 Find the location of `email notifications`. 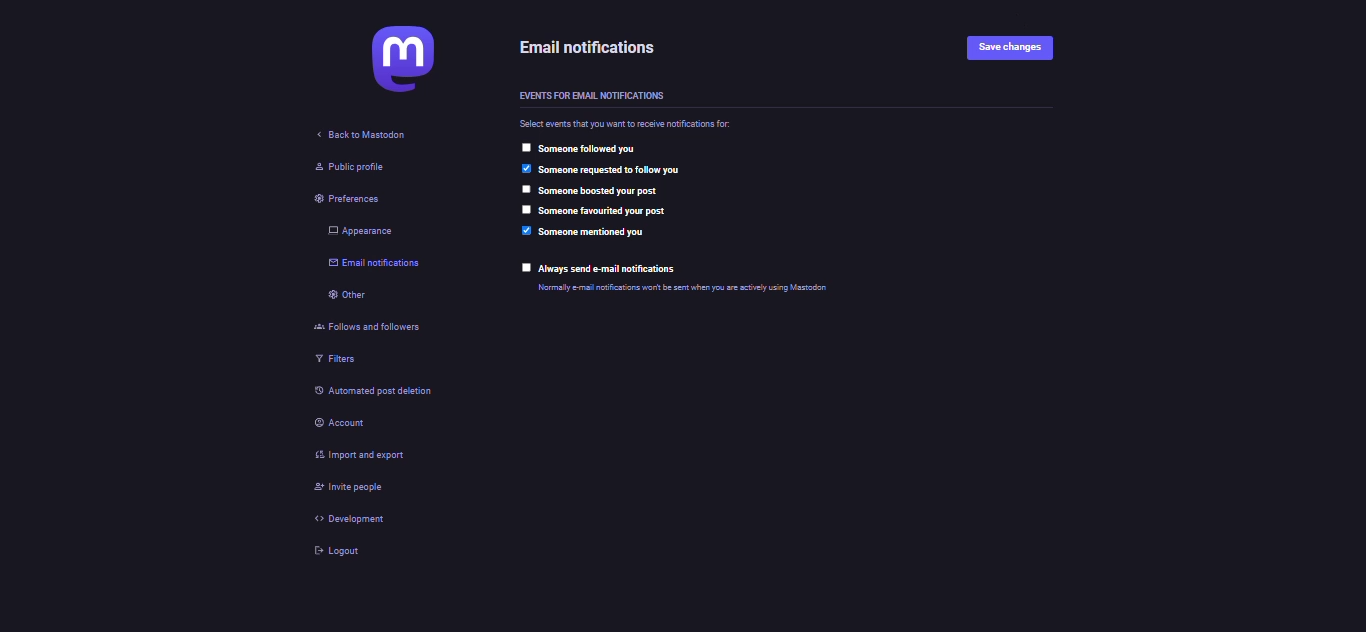

email notifications is located at coordinates (588, 47).